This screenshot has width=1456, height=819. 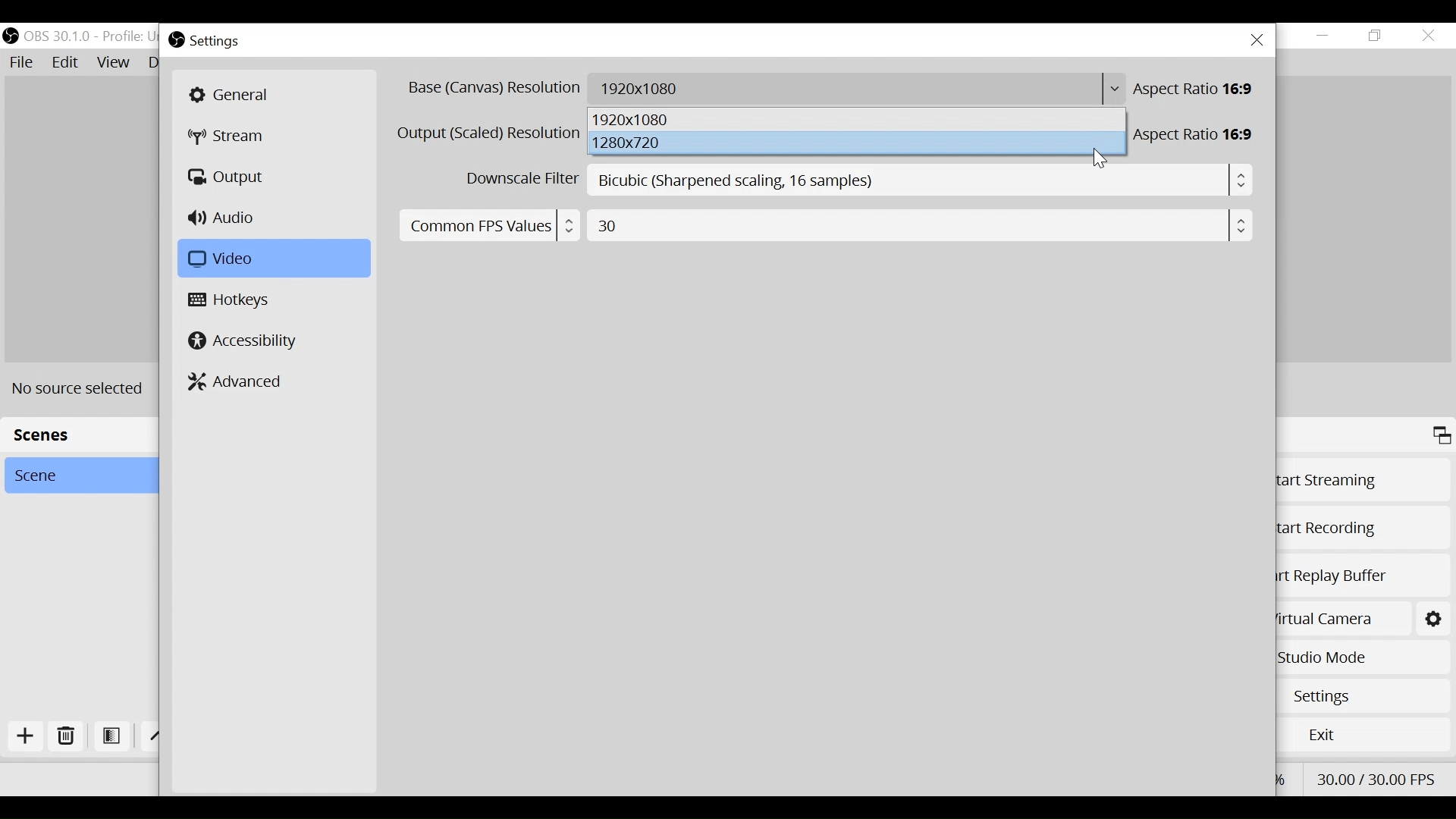 What do you see at coordinates (10, 33) in the screenshot?
I see `OBS Studio Desktop Icon` at bounding box center [10, 33].